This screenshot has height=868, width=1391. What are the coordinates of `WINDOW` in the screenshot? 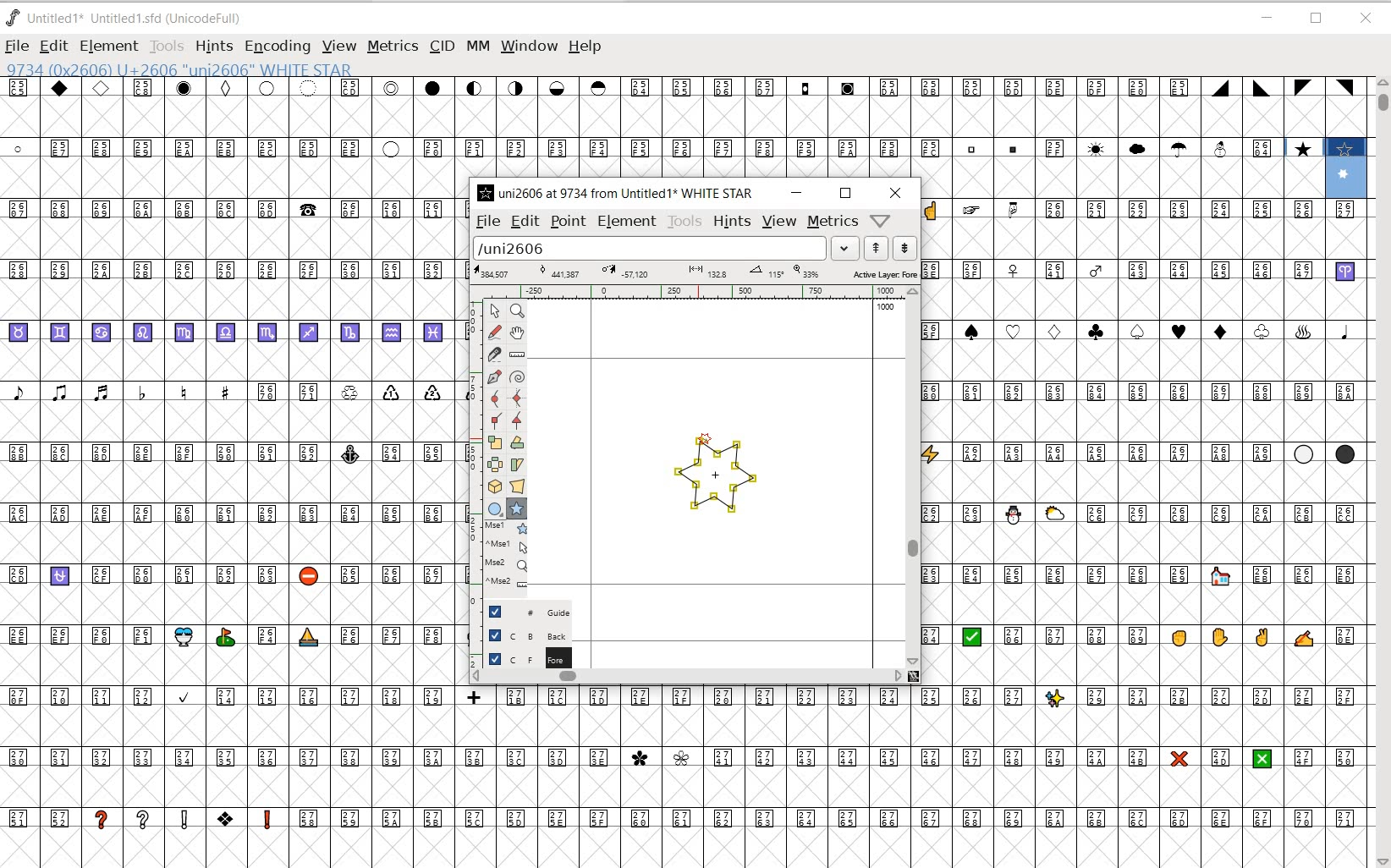 It's located at (528, 46).